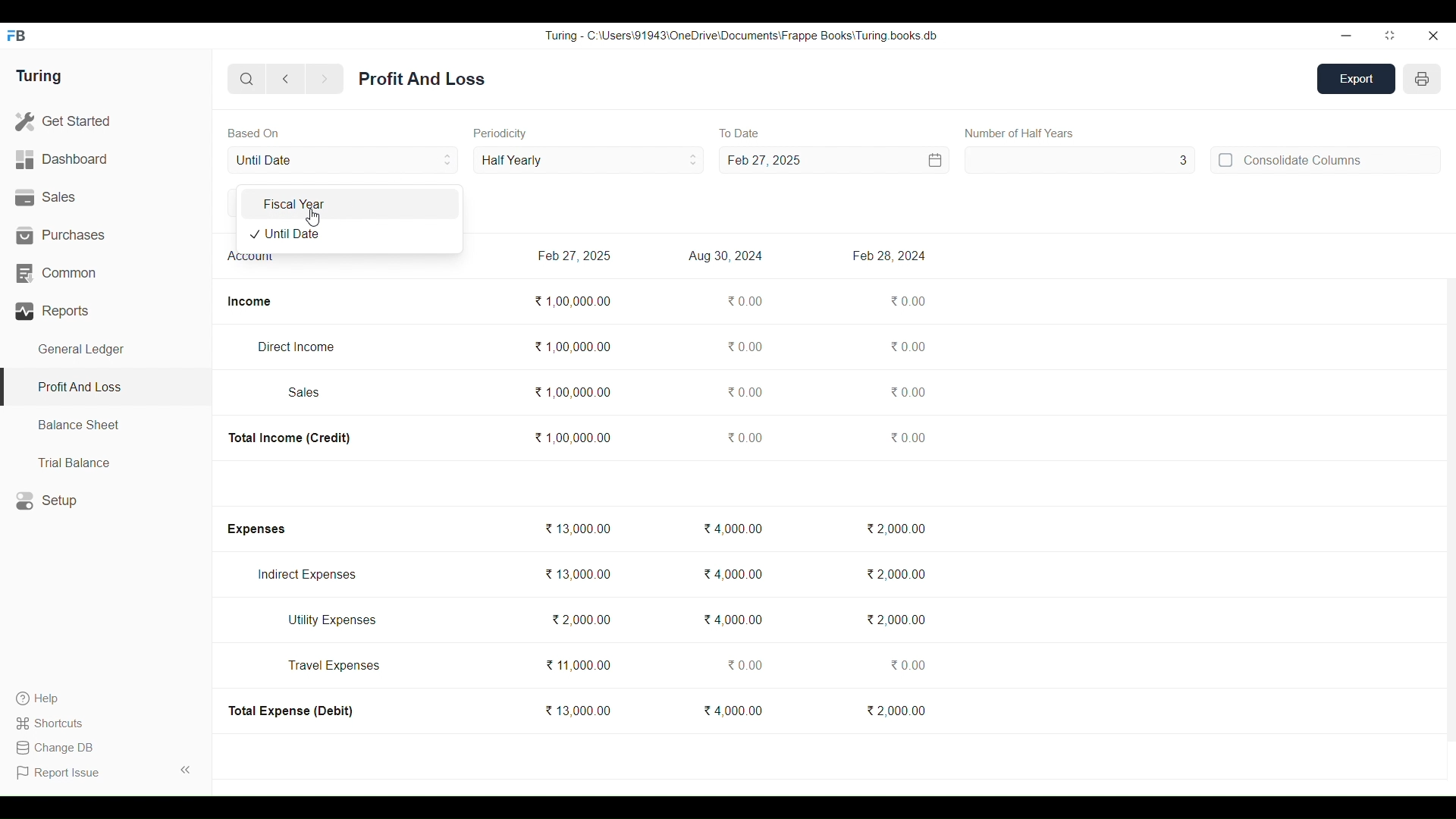 Image resolution: width=1456 pixels, height=819 pixels. What do you see at coordinates (888, 256) in the screenshot?
I see `Feb 28, 2024` at bounding box center [888, 256].